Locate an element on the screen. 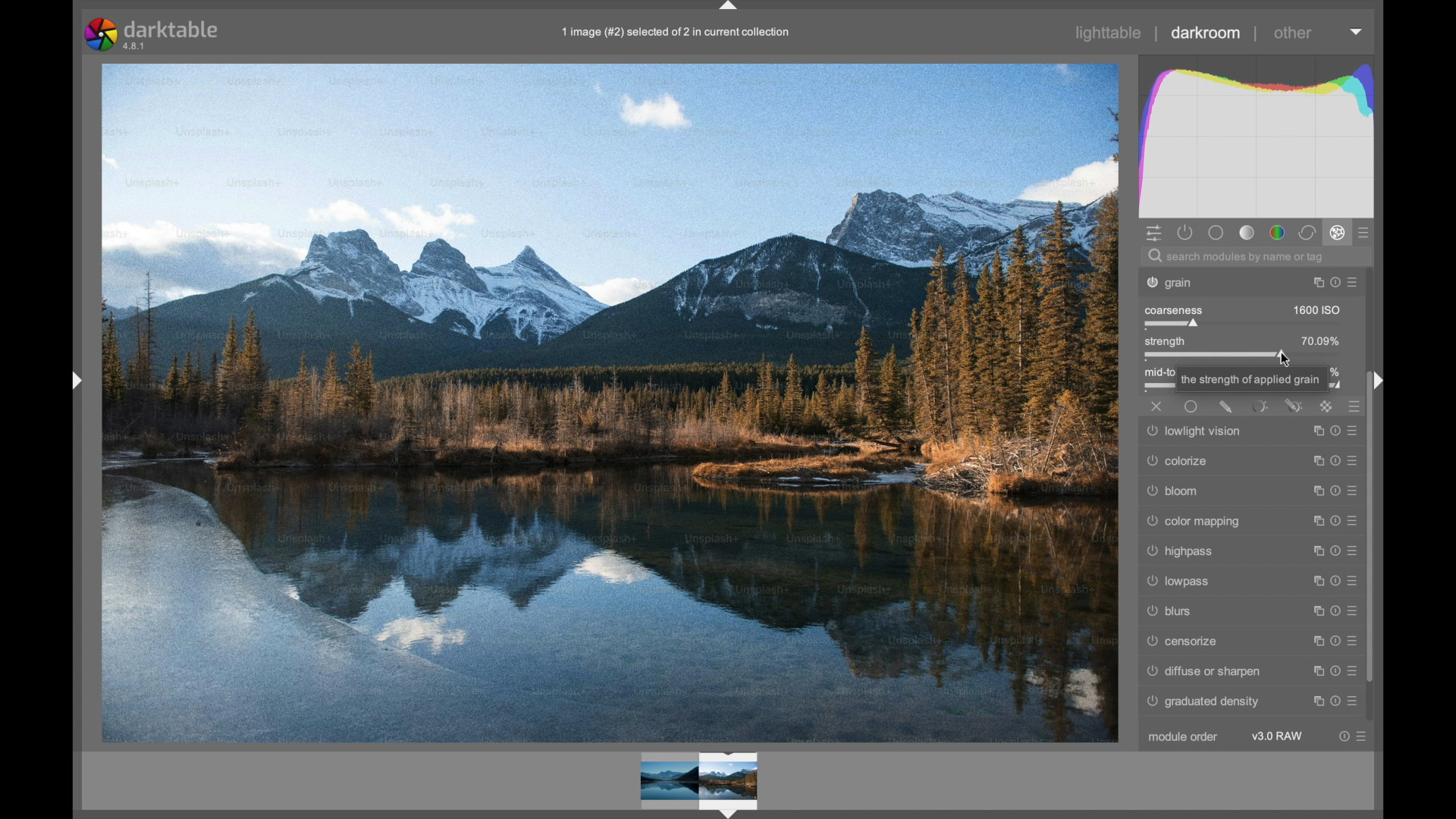 The image size is (1456, 819). presets is located at coordinates (1356, 672).